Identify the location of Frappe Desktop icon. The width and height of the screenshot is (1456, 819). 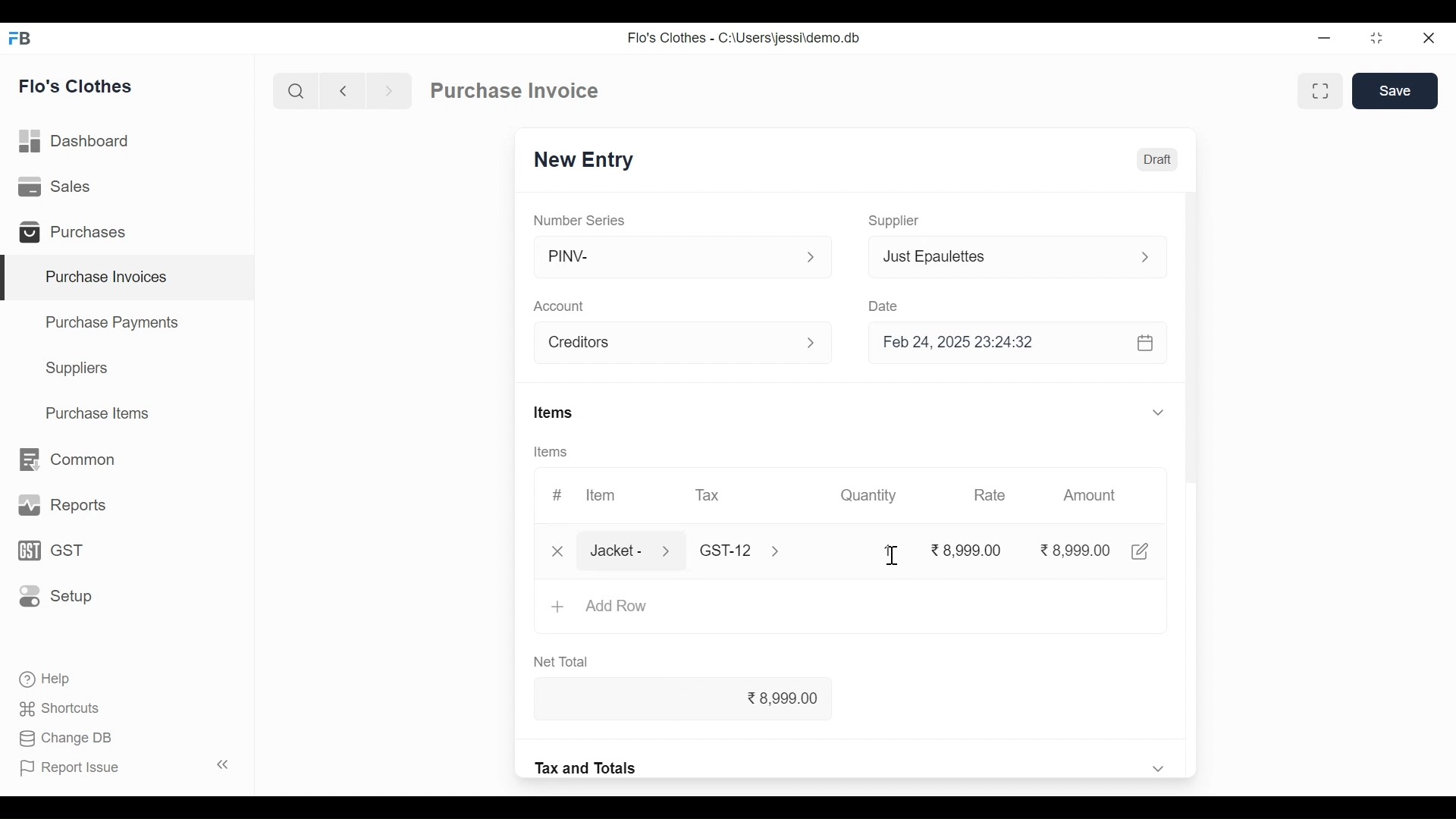
(24, 39).